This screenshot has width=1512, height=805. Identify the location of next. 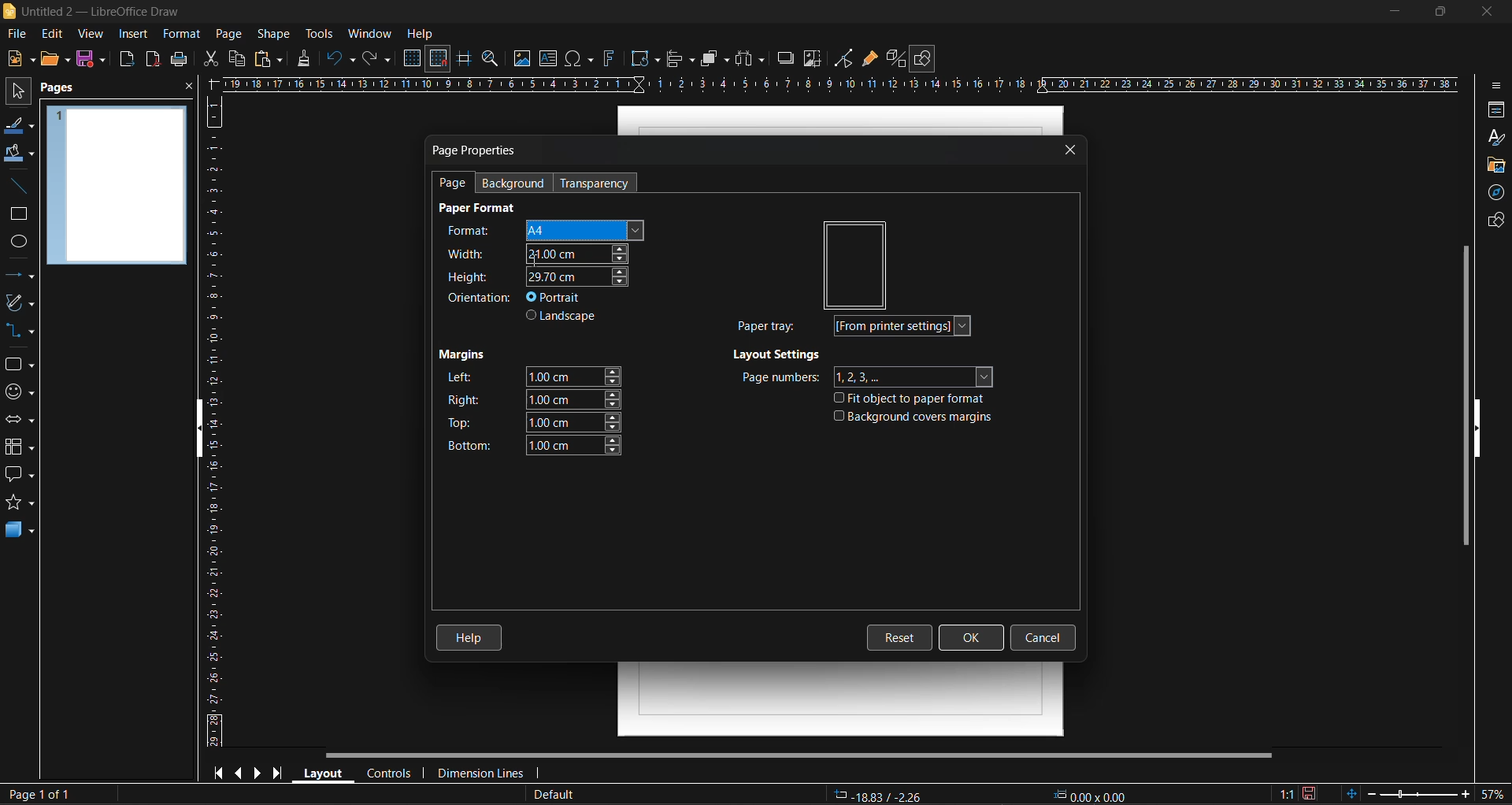
(260, 772).